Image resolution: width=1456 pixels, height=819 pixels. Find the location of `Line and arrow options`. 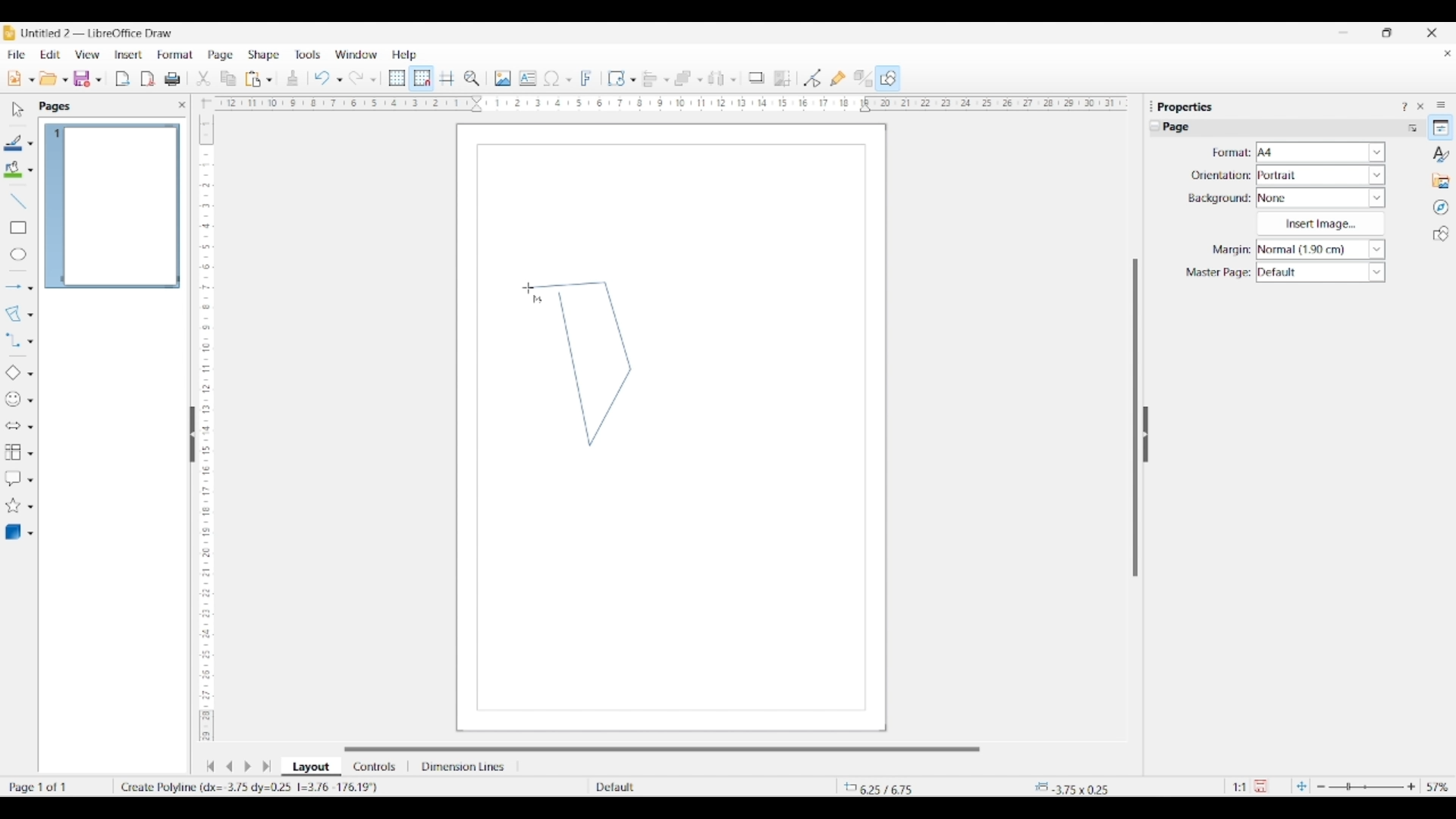

Line and arrow options is located at coordinates (30, 288).